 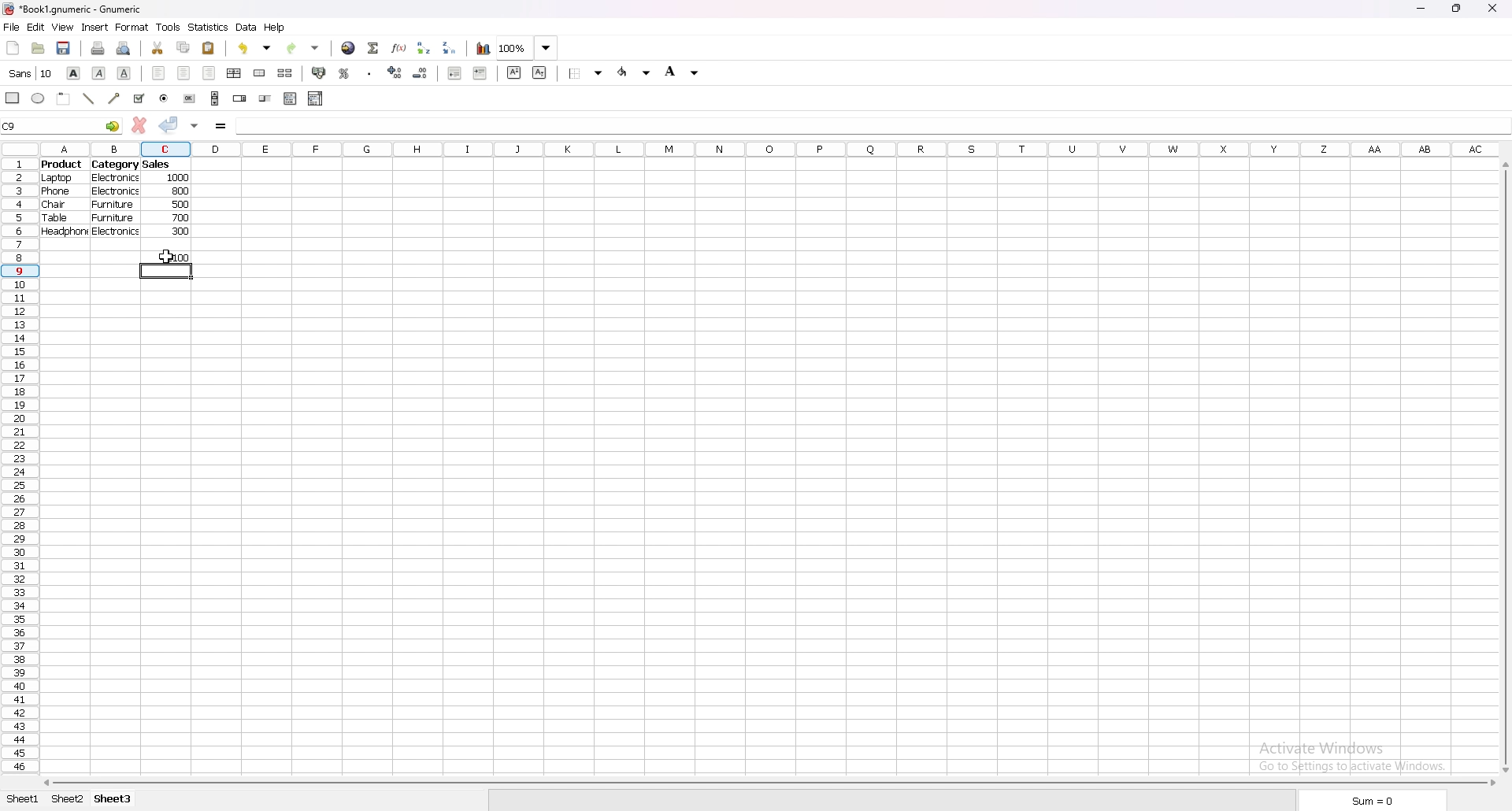 What do you see at coordinates (163, 98) in the screenshot?
I see `radio button` at bounding box center [163, 98].